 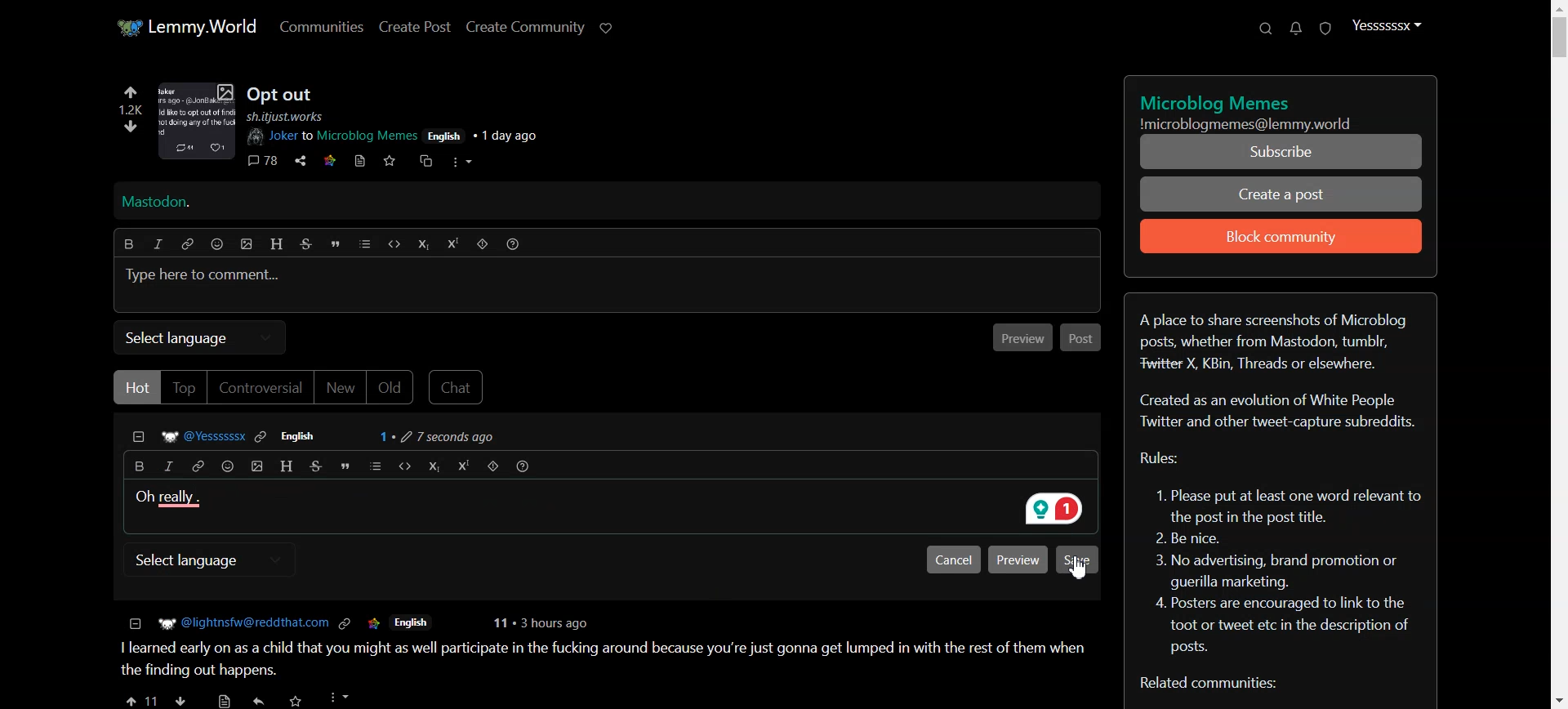 I want to click on Old, so click(x=391, y=387).